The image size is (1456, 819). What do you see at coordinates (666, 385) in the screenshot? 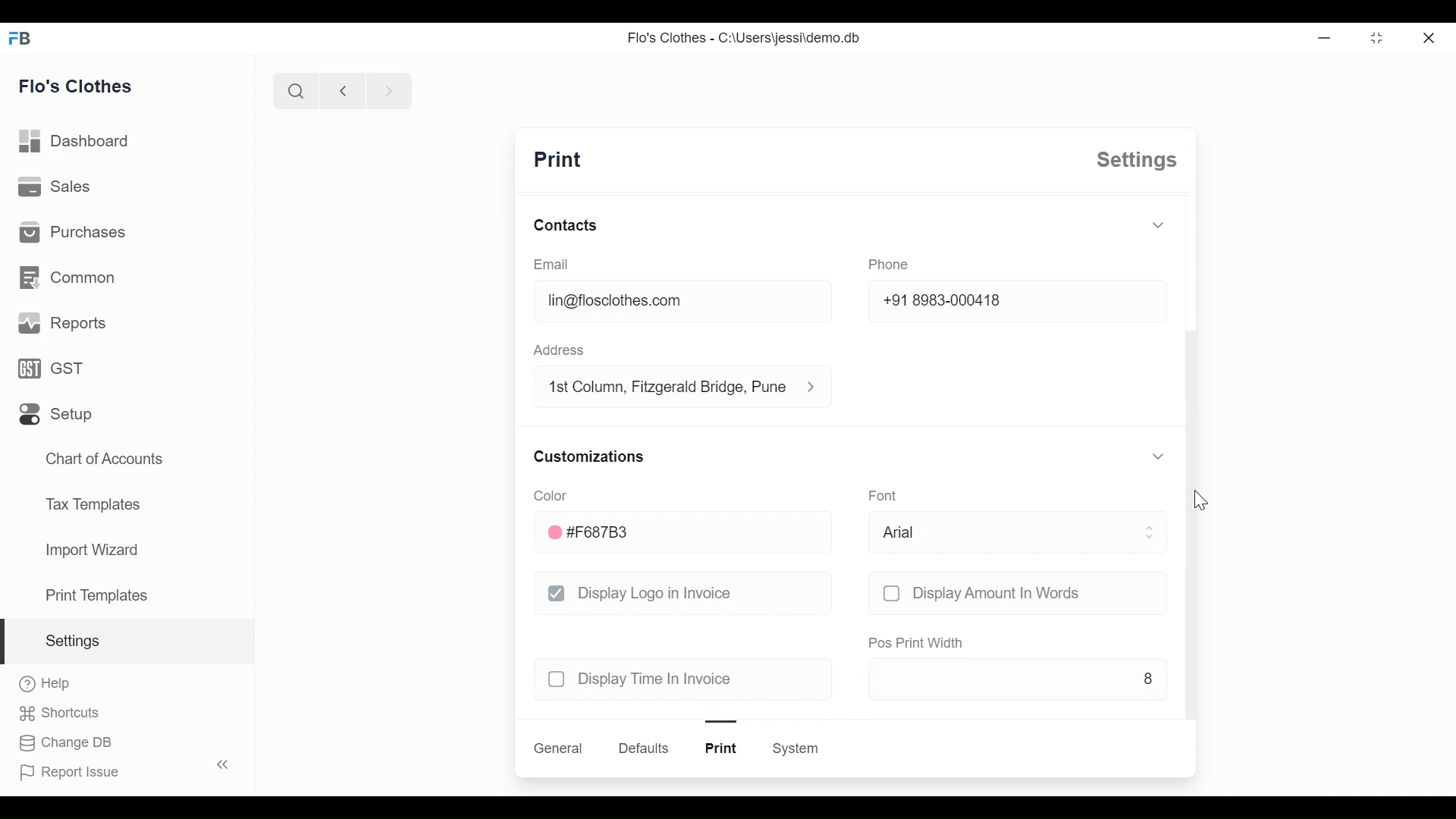
I see `1st column, fitzgerald bridge, Pune` at bounding box center [666, 385].